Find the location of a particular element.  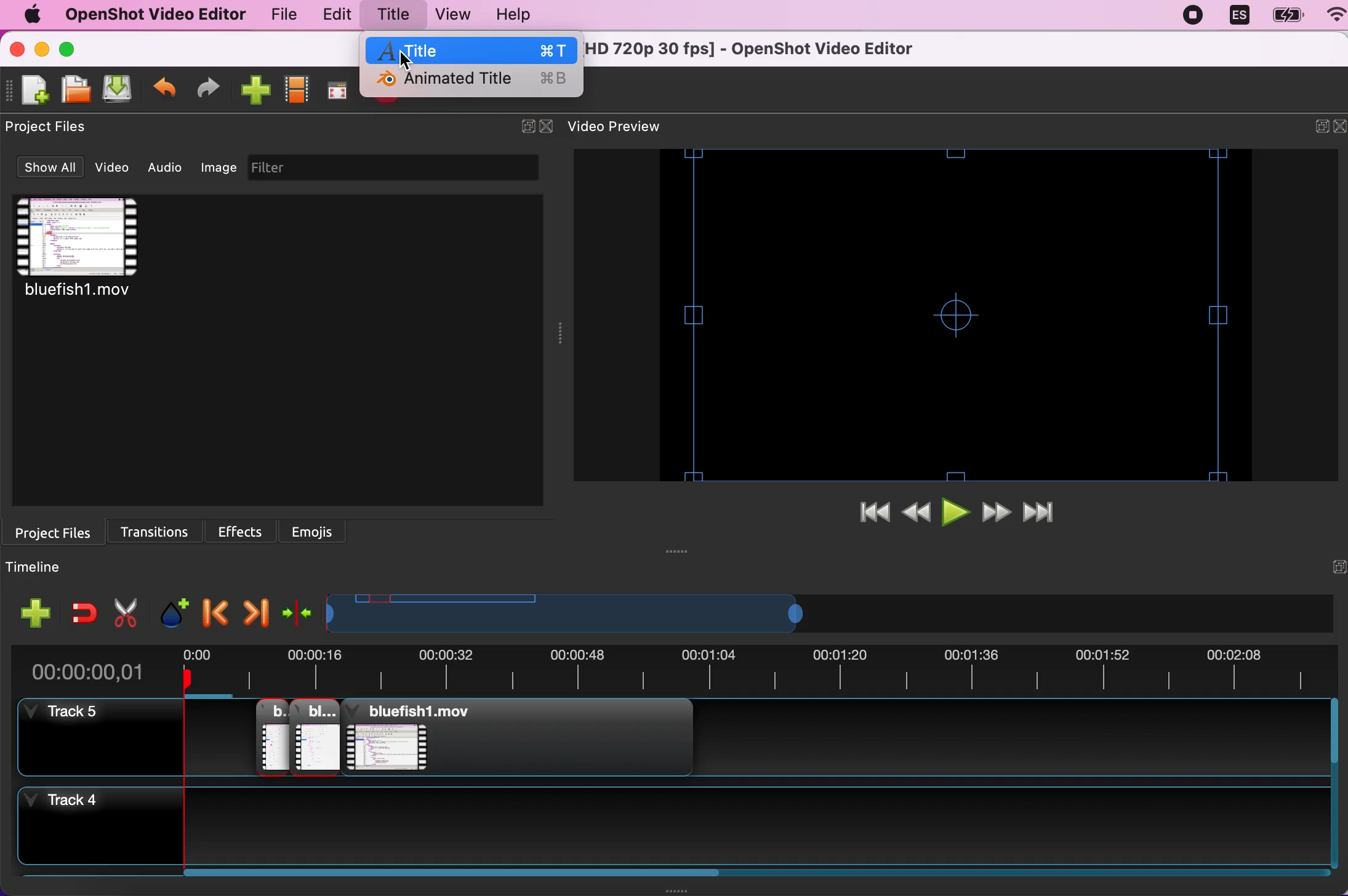

project files is located at coordinates (58, 531).